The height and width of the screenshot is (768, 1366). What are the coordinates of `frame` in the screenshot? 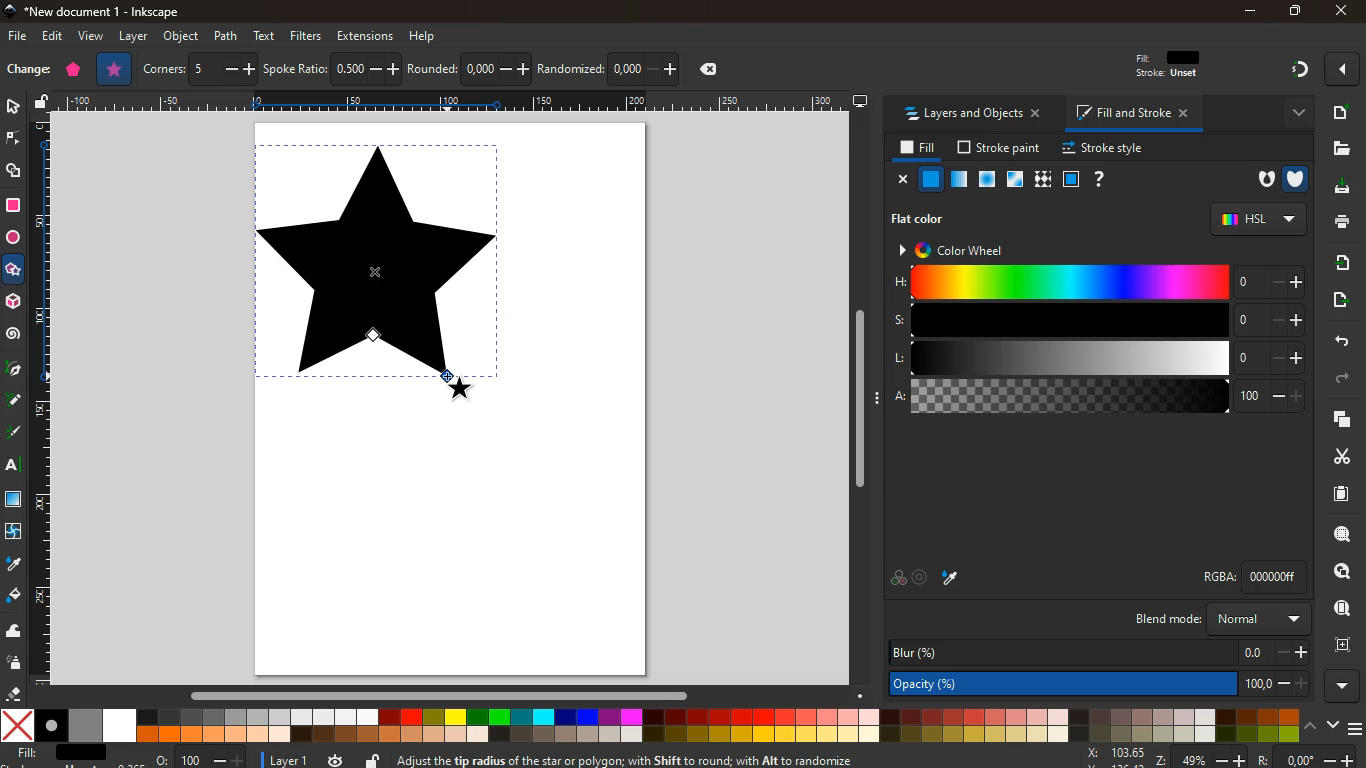 It's located at (1070, 178).